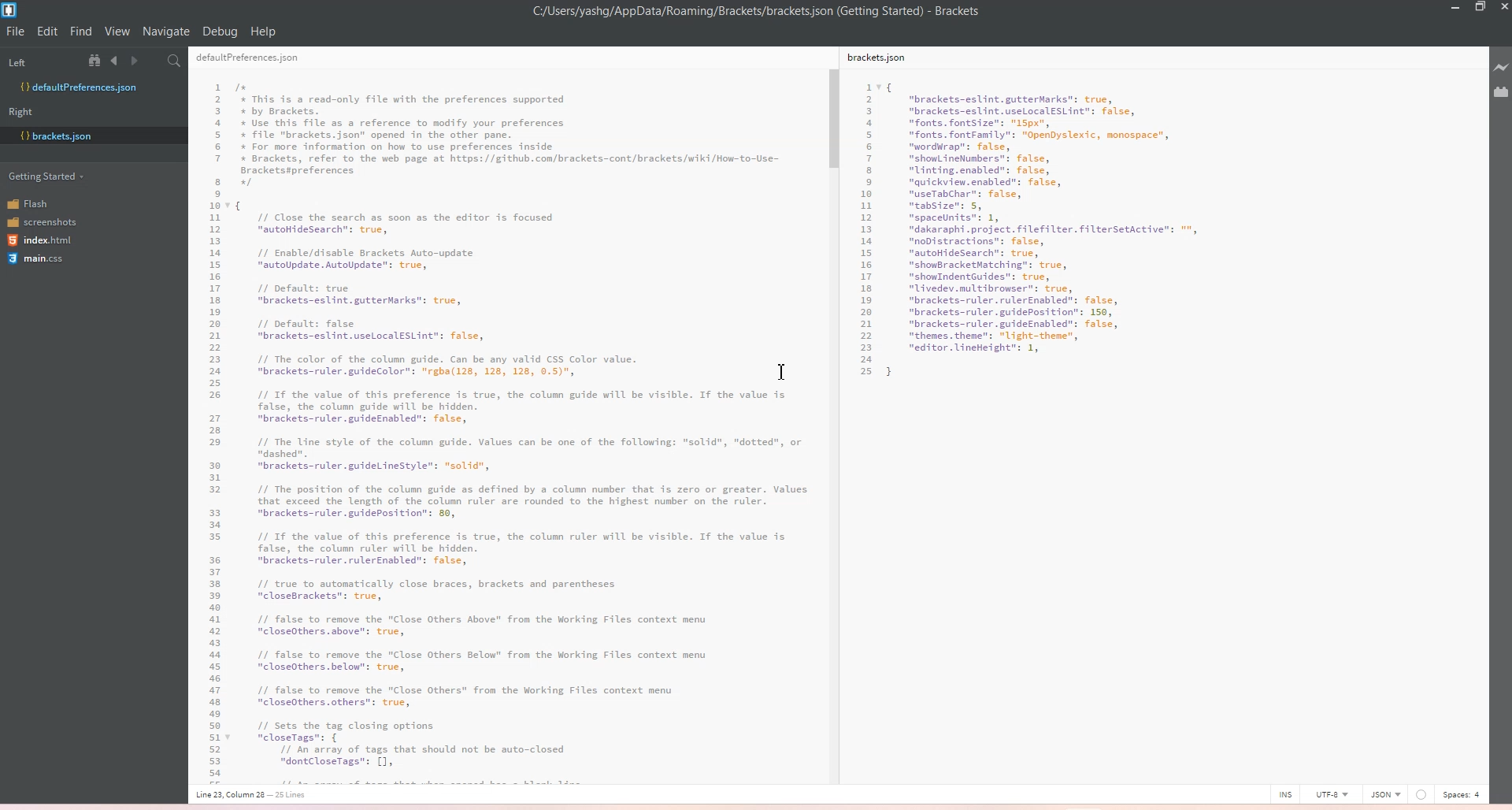  I want to click on Bracket.json, so click(56, 136).